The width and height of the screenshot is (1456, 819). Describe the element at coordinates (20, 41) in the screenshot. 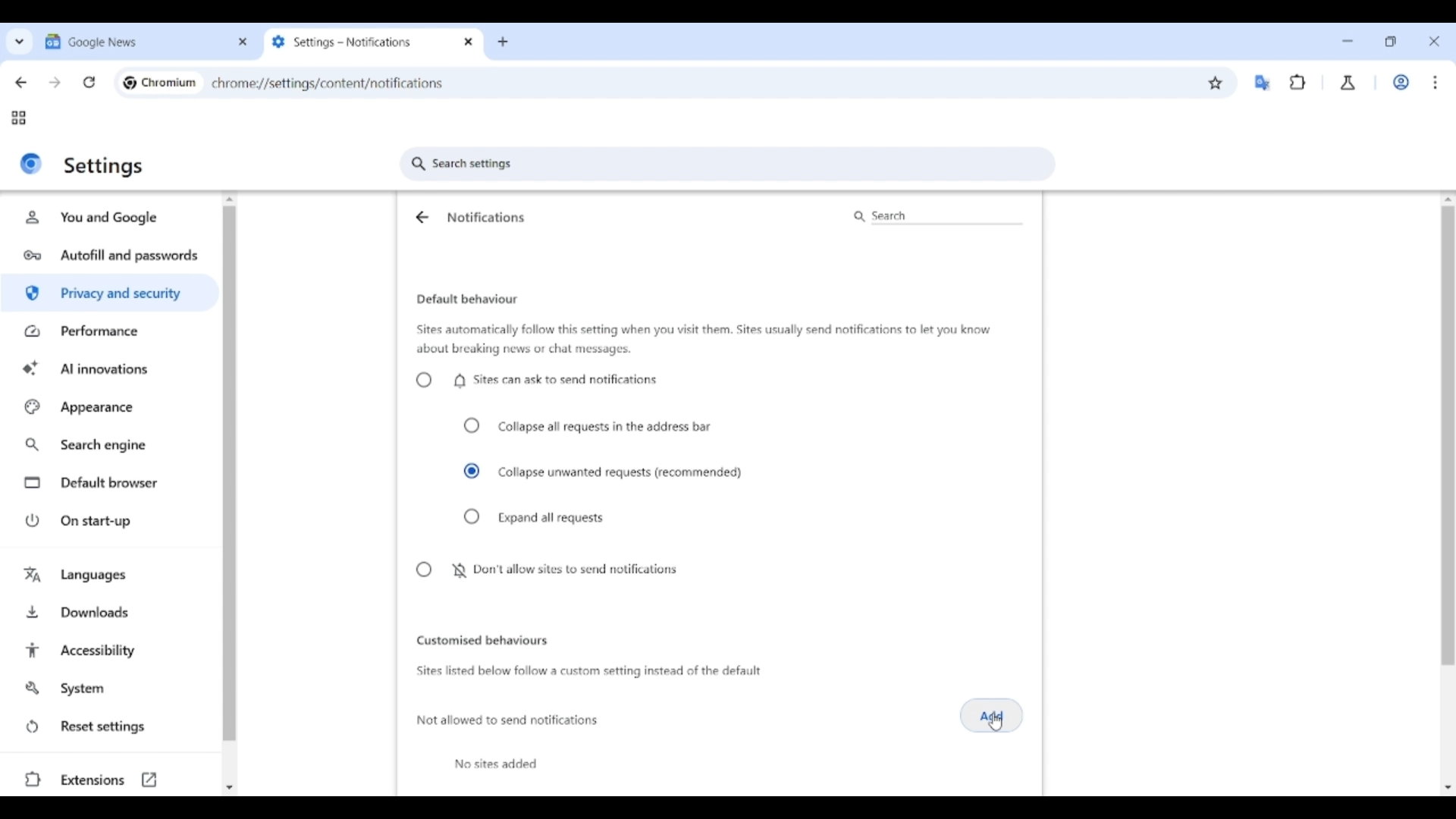

I see `Search tabs` at that location.